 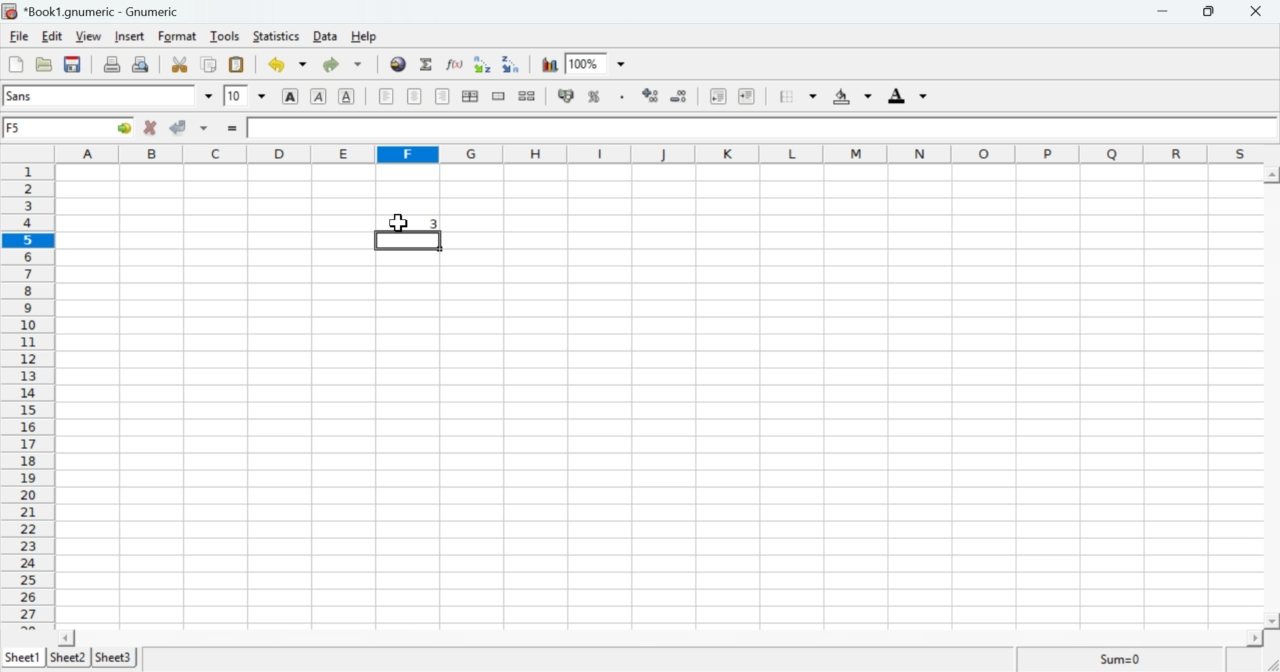 What do you see at coordinates (110, 64) in the screenshot?
I see `Print` at bounding box center [110, 64].